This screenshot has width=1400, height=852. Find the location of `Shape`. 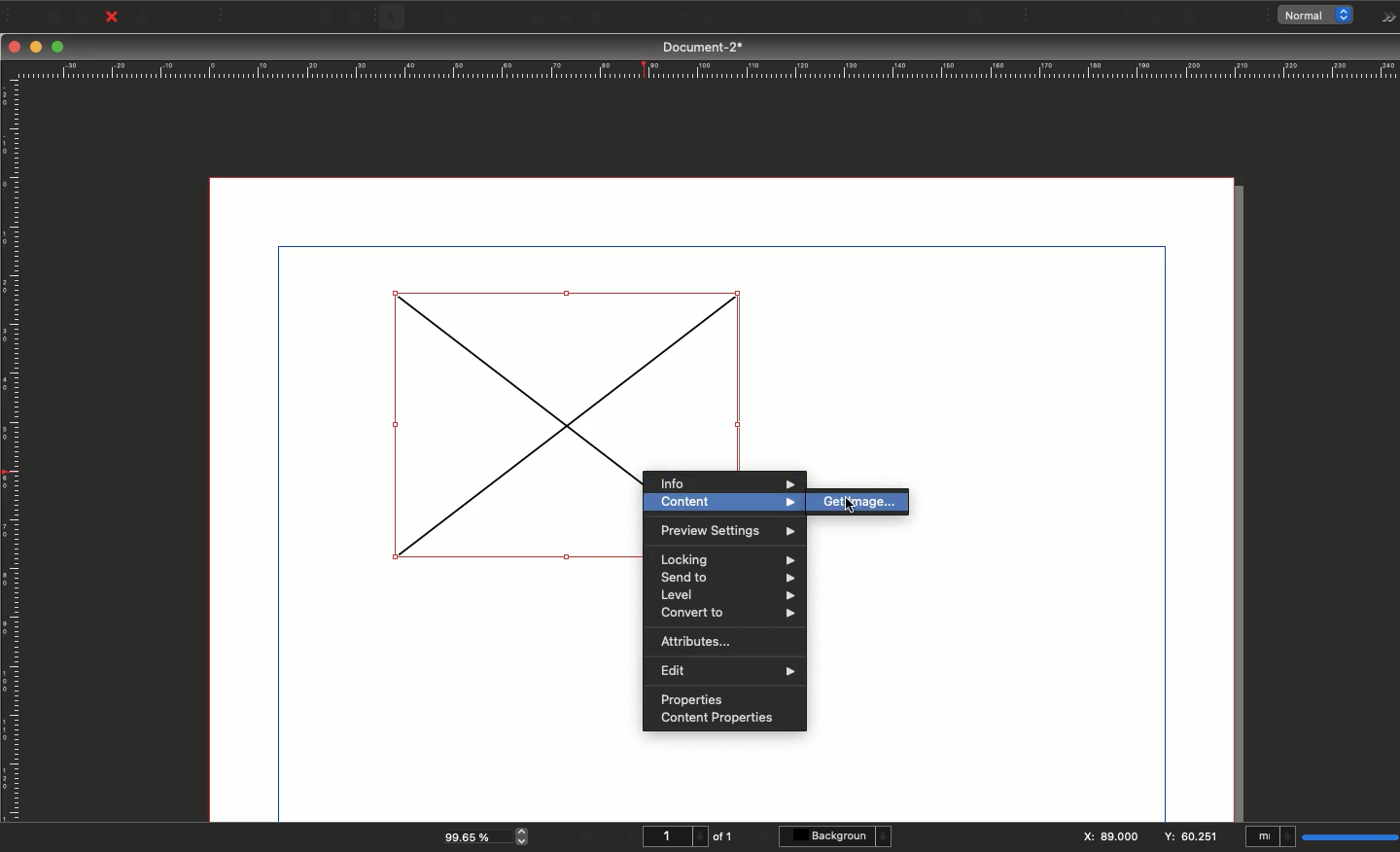

Shape is located at coordinates (540, 18).